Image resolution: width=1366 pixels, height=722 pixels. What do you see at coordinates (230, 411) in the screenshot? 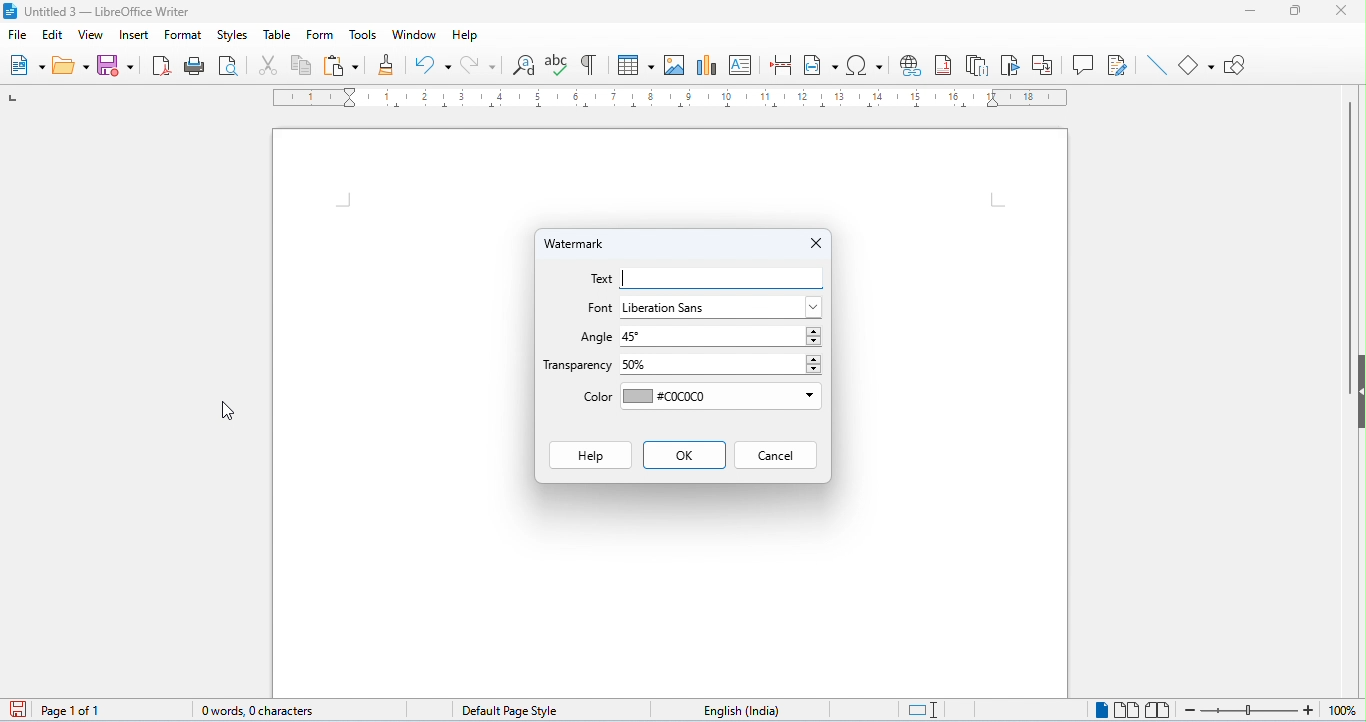
I see `cursor` at bounding box center [230, 411].